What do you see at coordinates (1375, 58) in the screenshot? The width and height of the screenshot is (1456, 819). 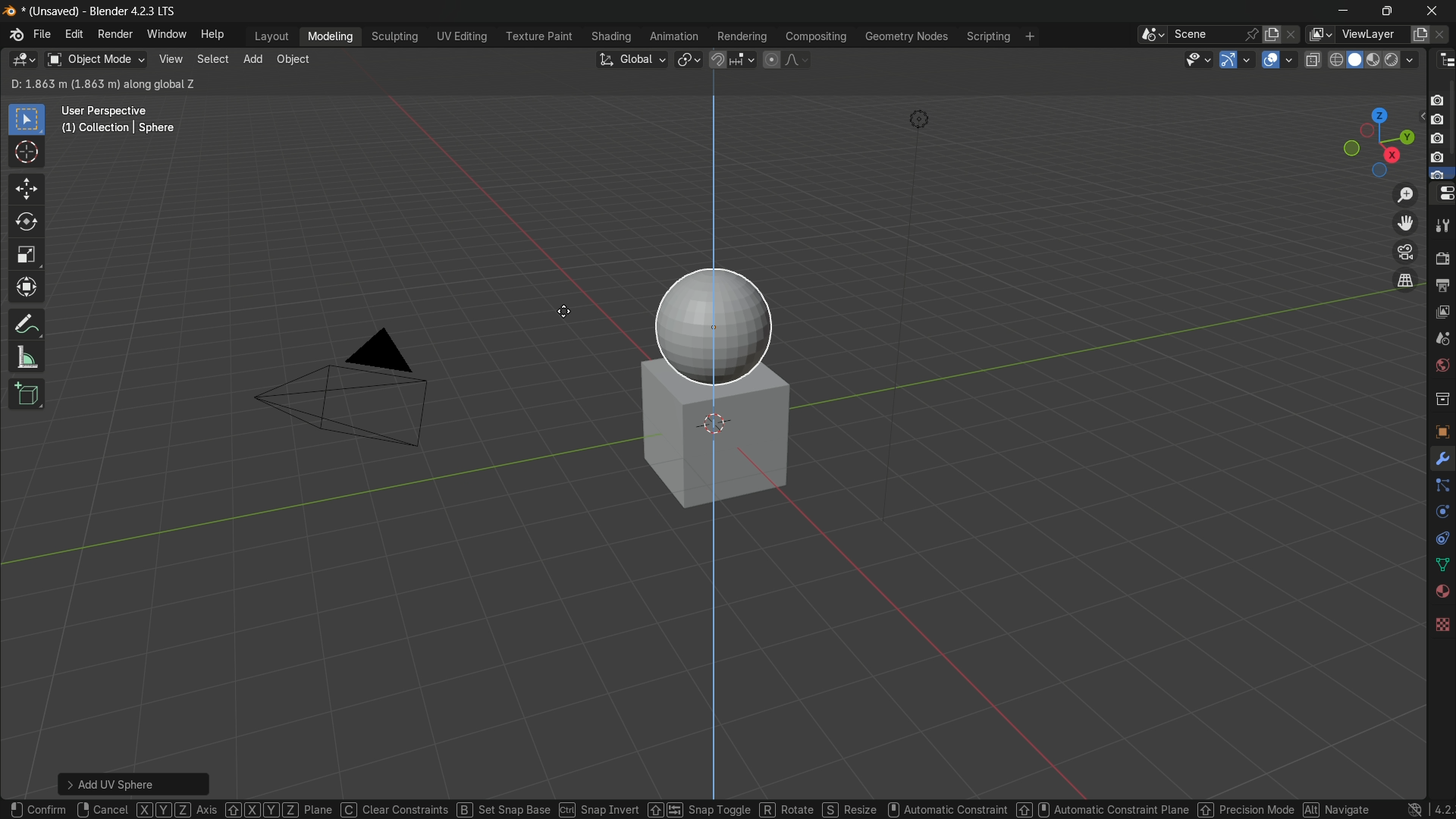 I see `material preview display` at bounding box center [1375, 58].